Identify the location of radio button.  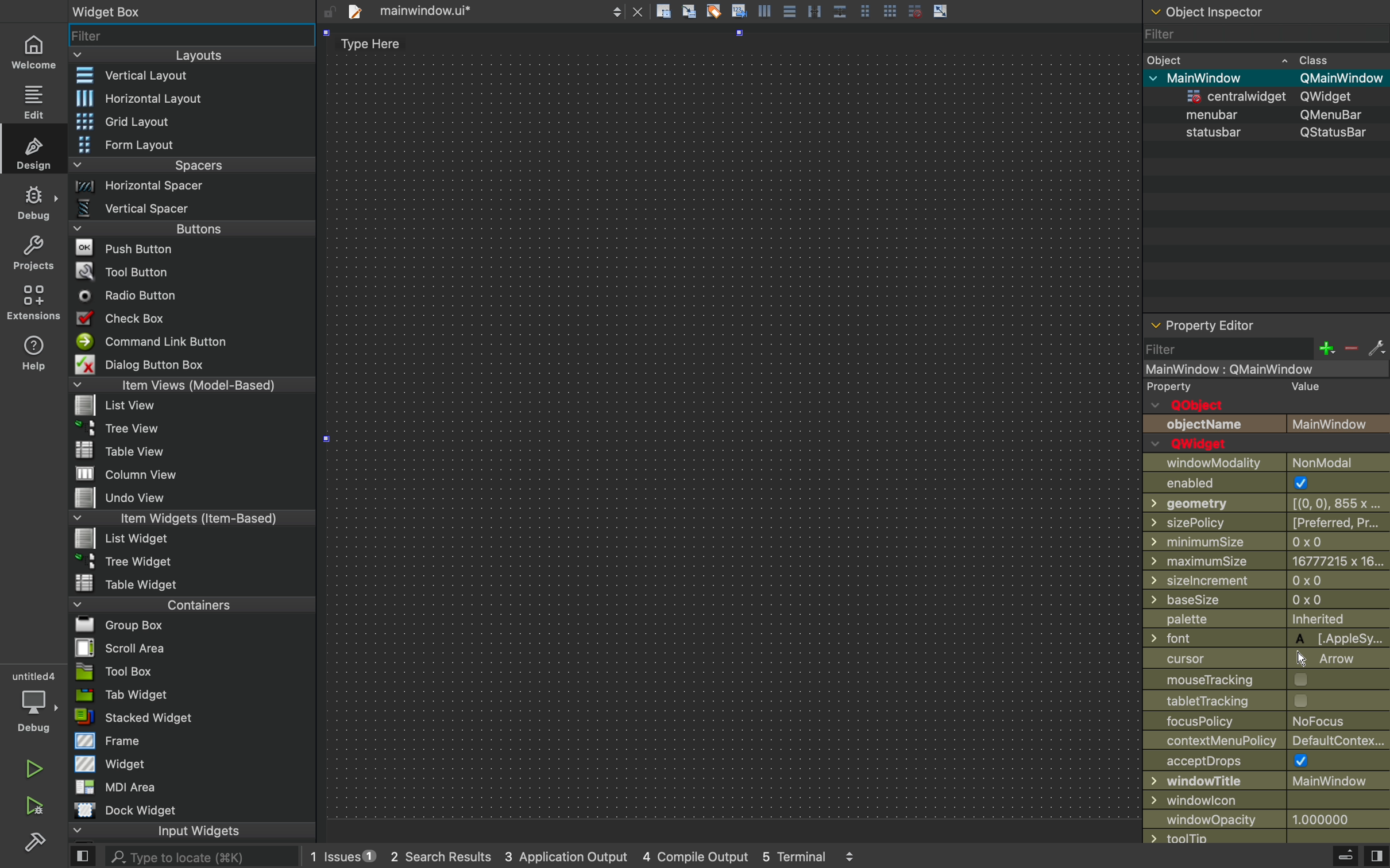
(192, 294).